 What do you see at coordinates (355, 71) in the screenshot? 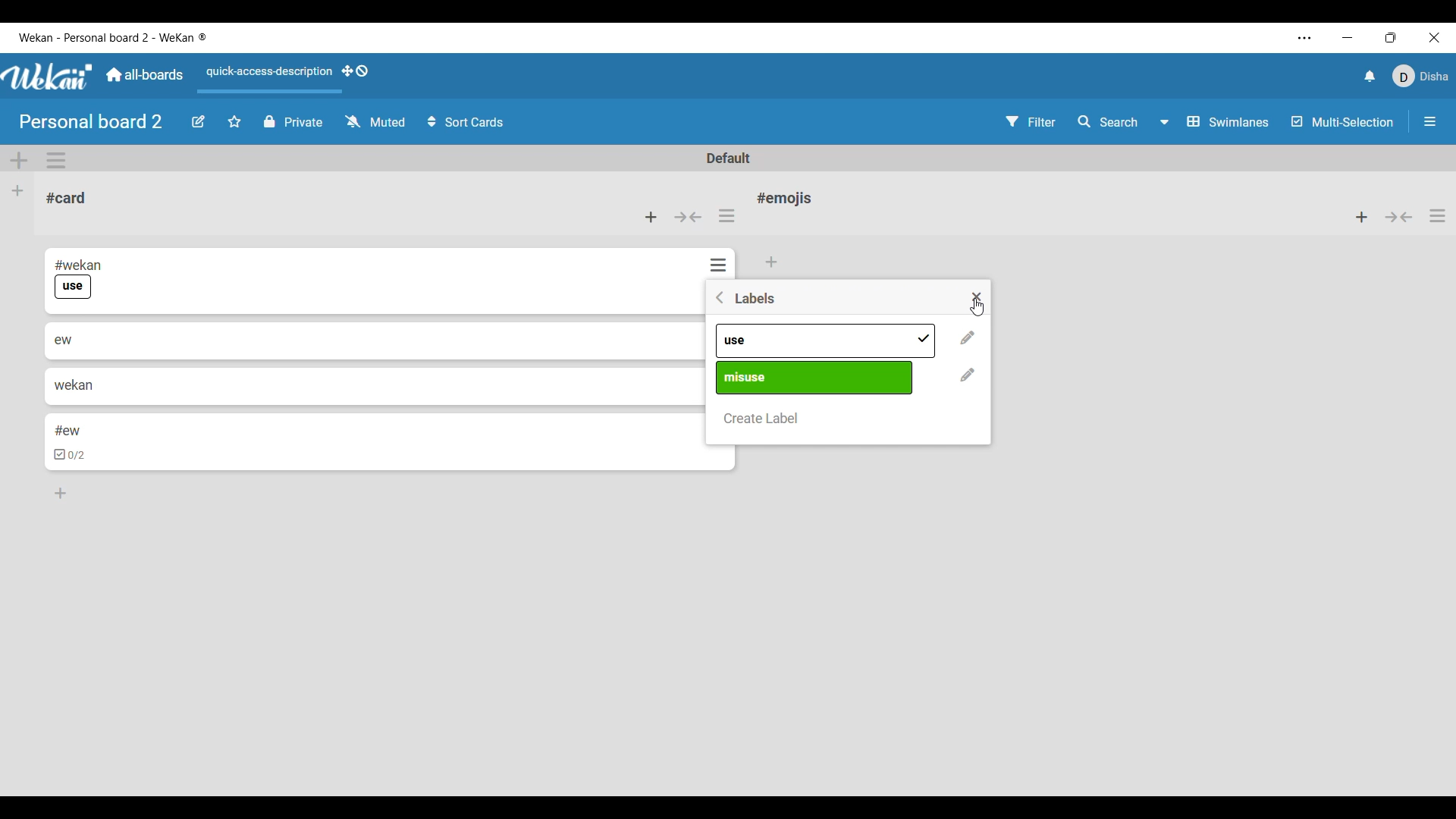
I see `Show desktop drag handles` at bounding box center [355, 71].